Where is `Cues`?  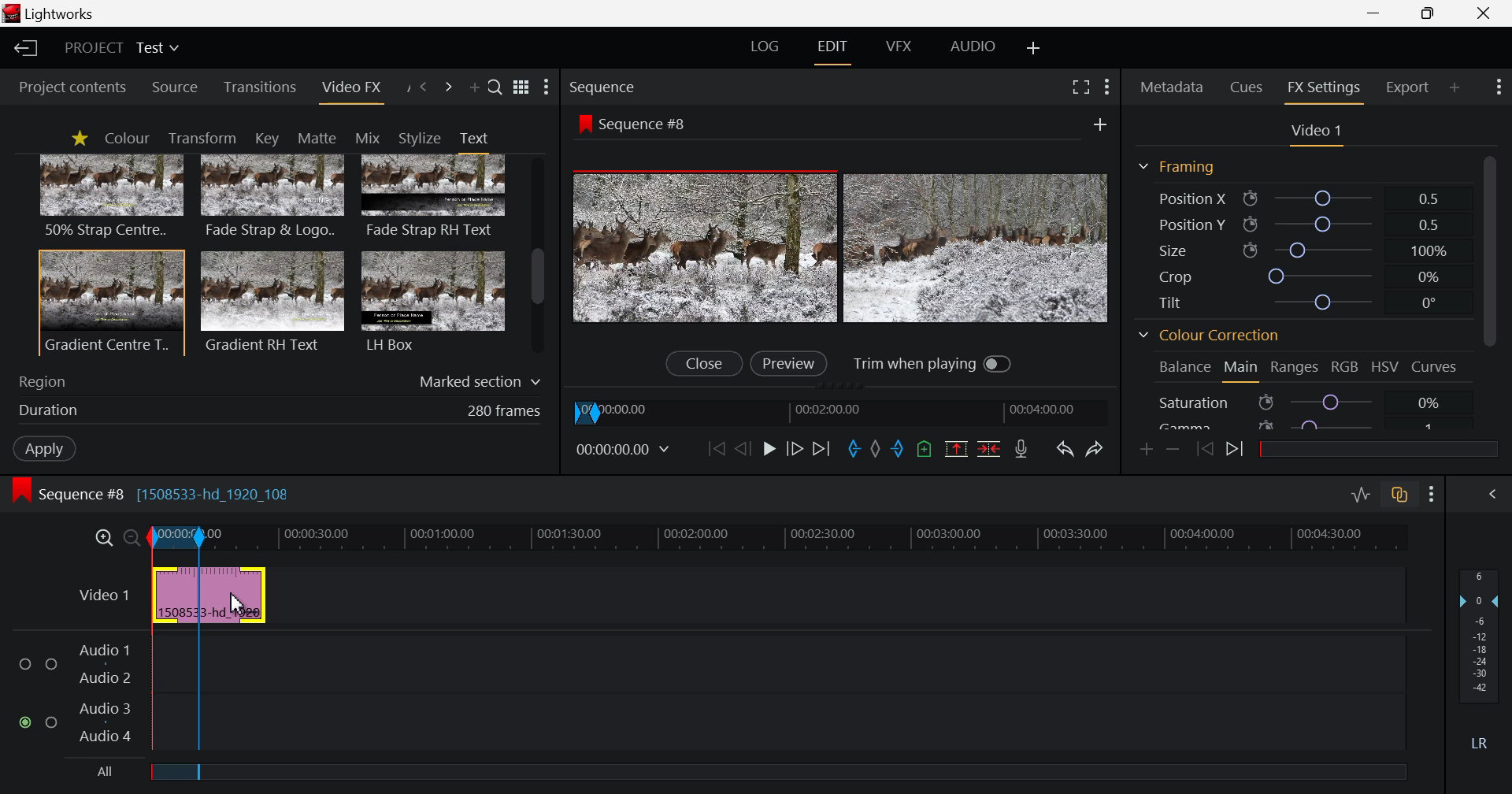 Cues is located at coordinates (1248, 86).